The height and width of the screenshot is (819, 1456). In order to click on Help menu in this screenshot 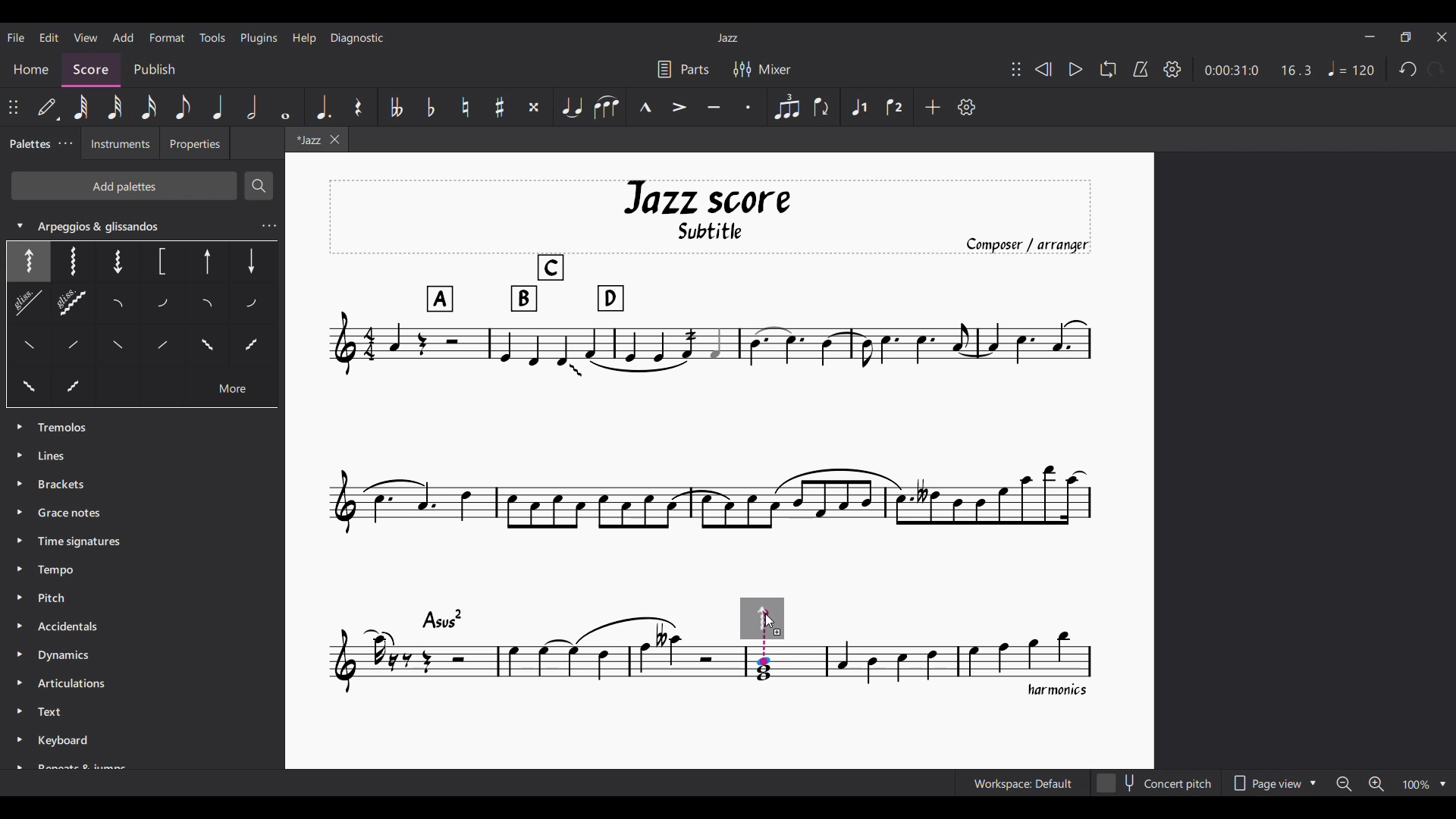, I will do `click(305, 39)`.